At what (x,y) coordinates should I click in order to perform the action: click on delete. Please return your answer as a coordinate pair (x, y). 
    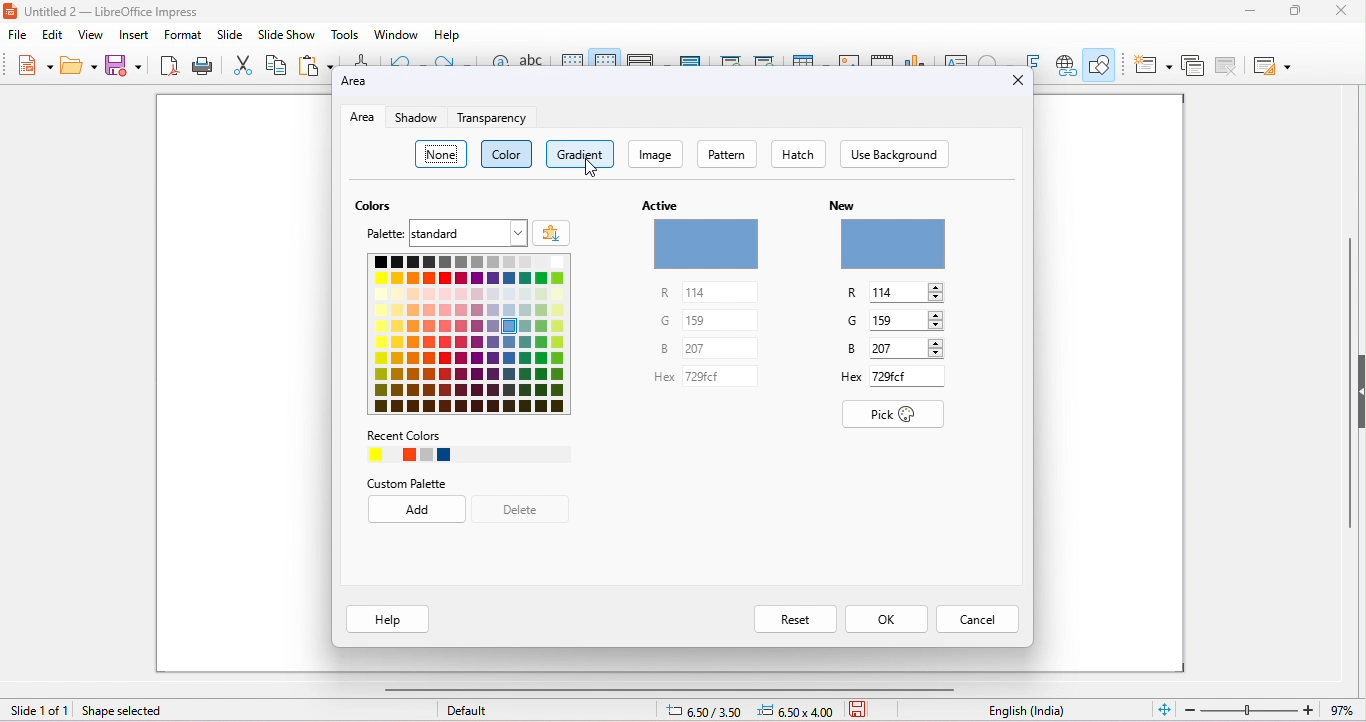
    Looking at the image, I should click on (527, 510).